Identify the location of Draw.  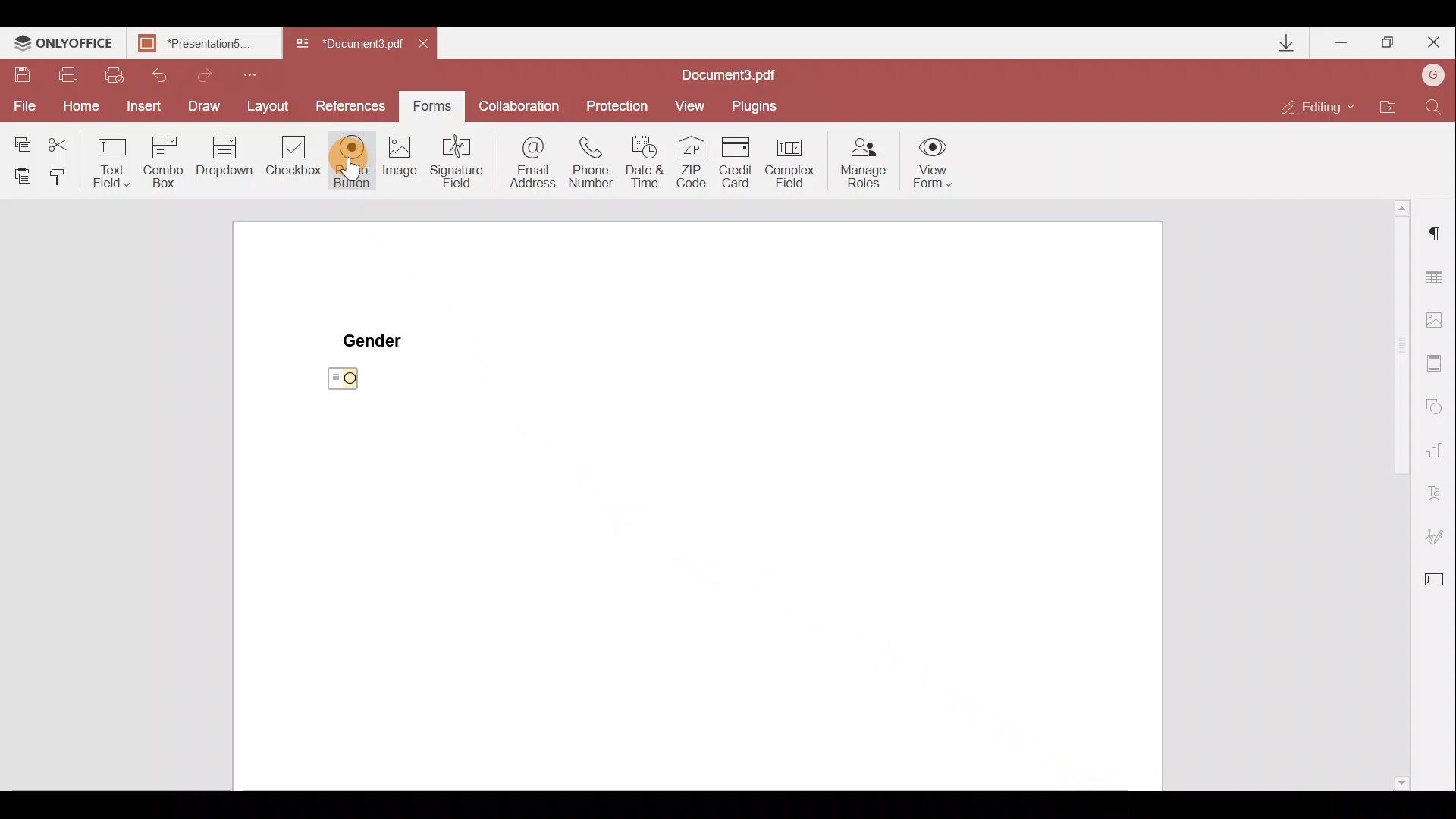
(204, 105).